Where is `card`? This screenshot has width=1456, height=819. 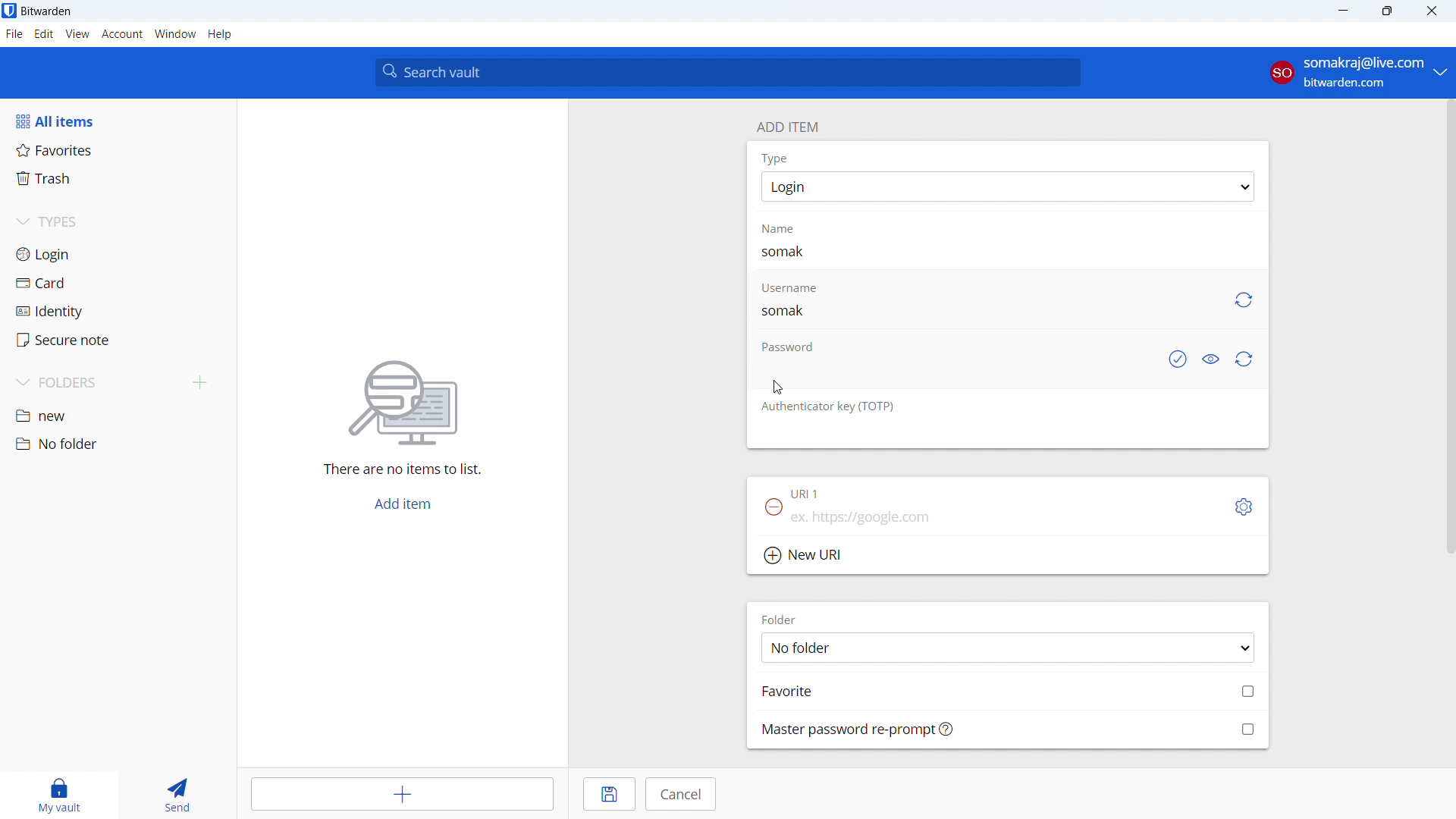
card is located at coordinates (118, 284).